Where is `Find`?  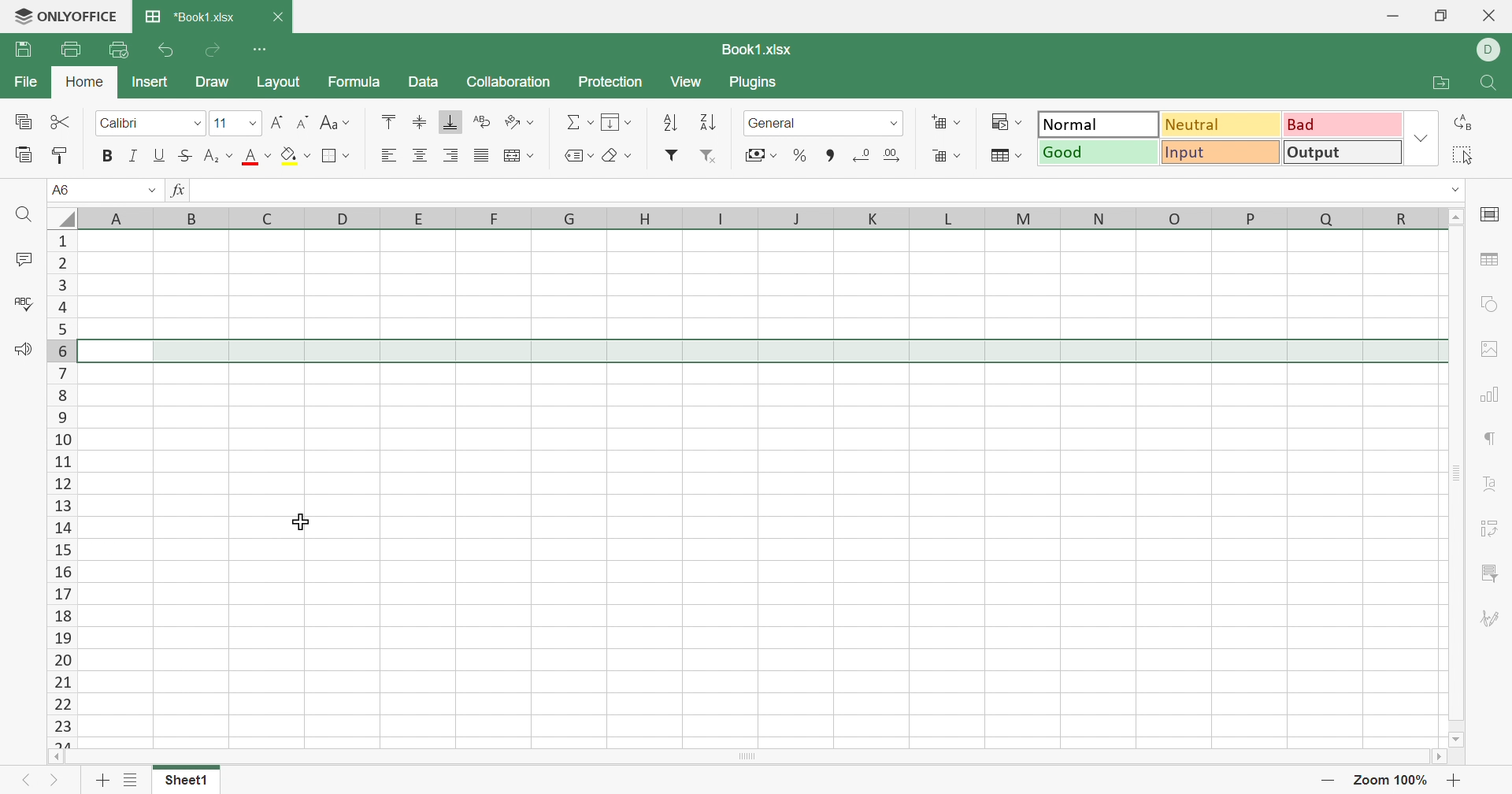 Find is located at coordinates (25, 217).